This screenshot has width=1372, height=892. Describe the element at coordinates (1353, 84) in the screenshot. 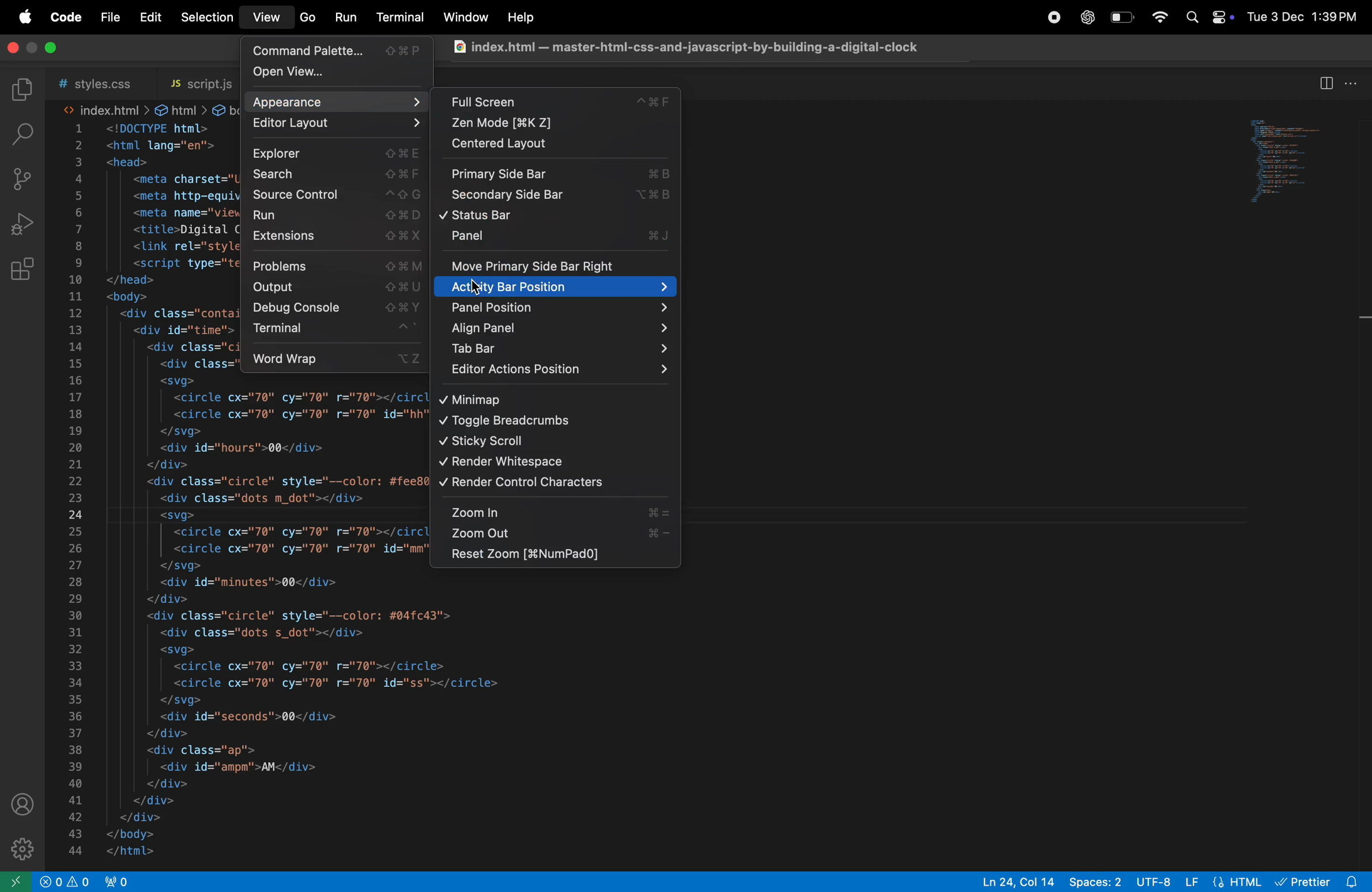

I see `more actions` at that location.